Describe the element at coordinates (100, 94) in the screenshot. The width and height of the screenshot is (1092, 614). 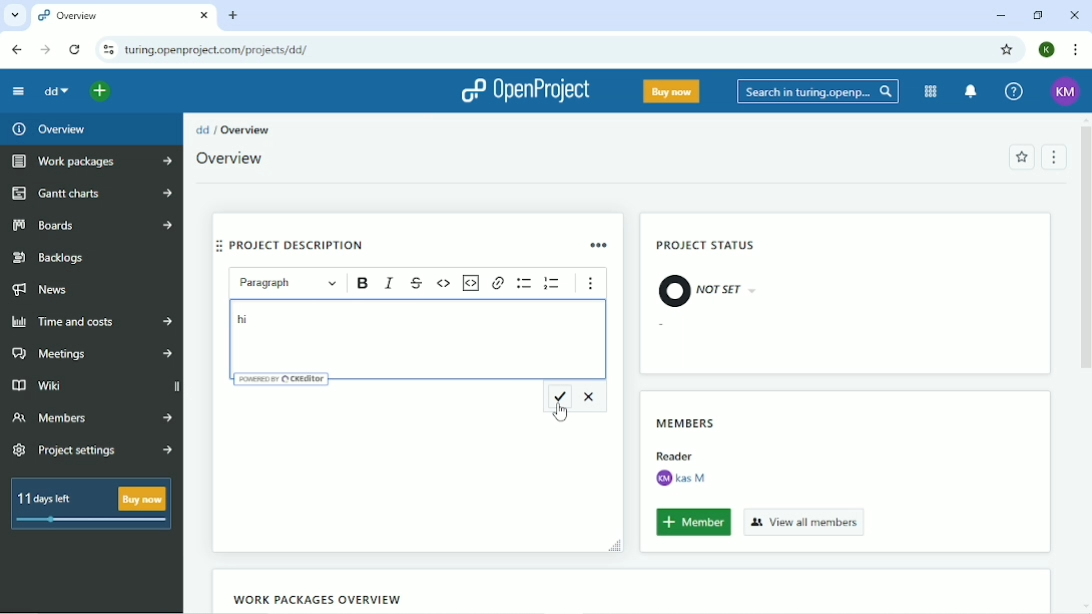
I see `Open quick add menu` at that location.